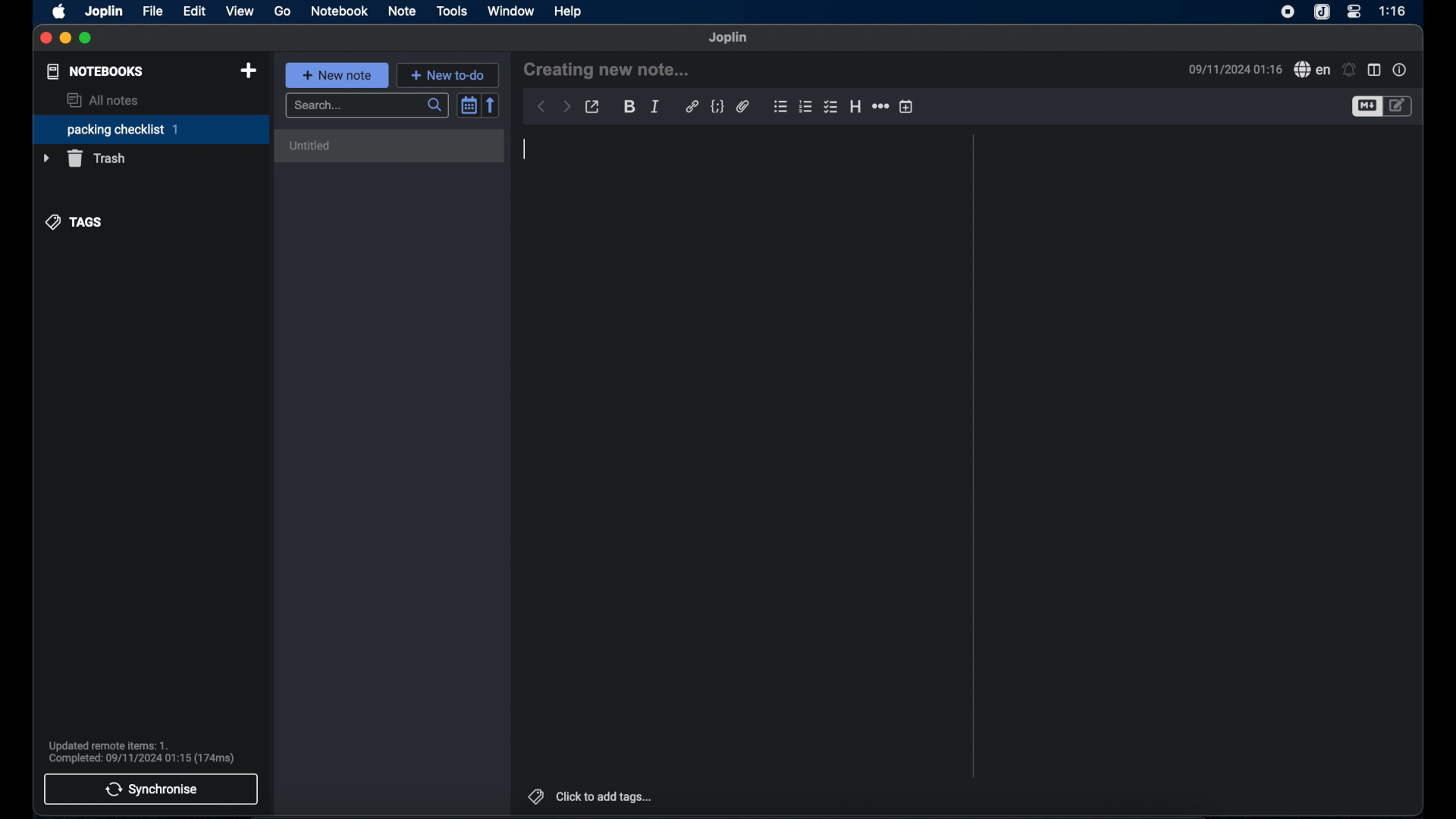 The width and height of the screenshot is (1456, 819). What do you see at coordinates (491, 105) in the screenshot?
I see `reverse sort order` at bounding box center [491, 105].